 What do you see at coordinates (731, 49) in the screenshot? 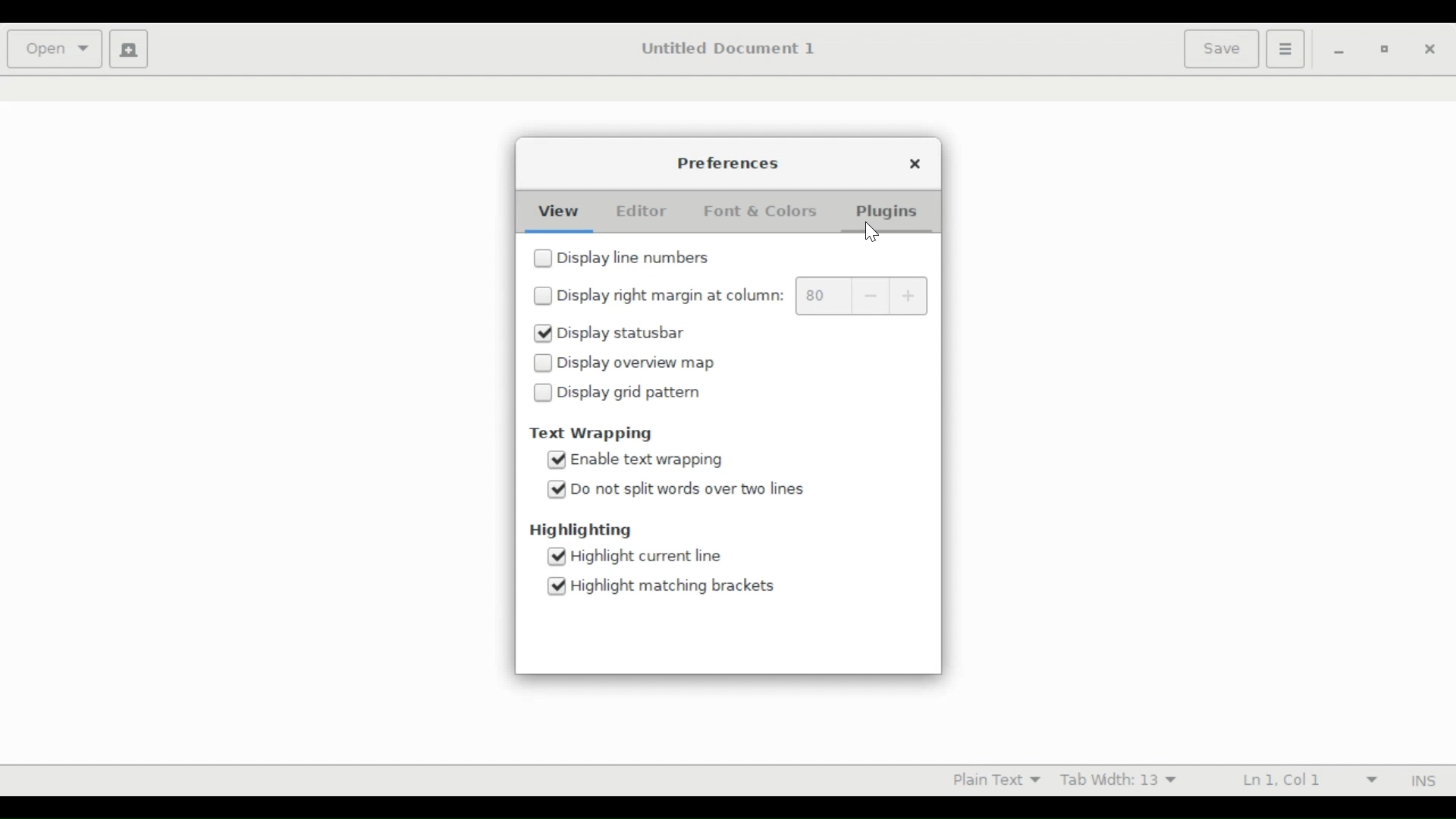
I see `Untitled Document 1` at bounding box center [731, 49].